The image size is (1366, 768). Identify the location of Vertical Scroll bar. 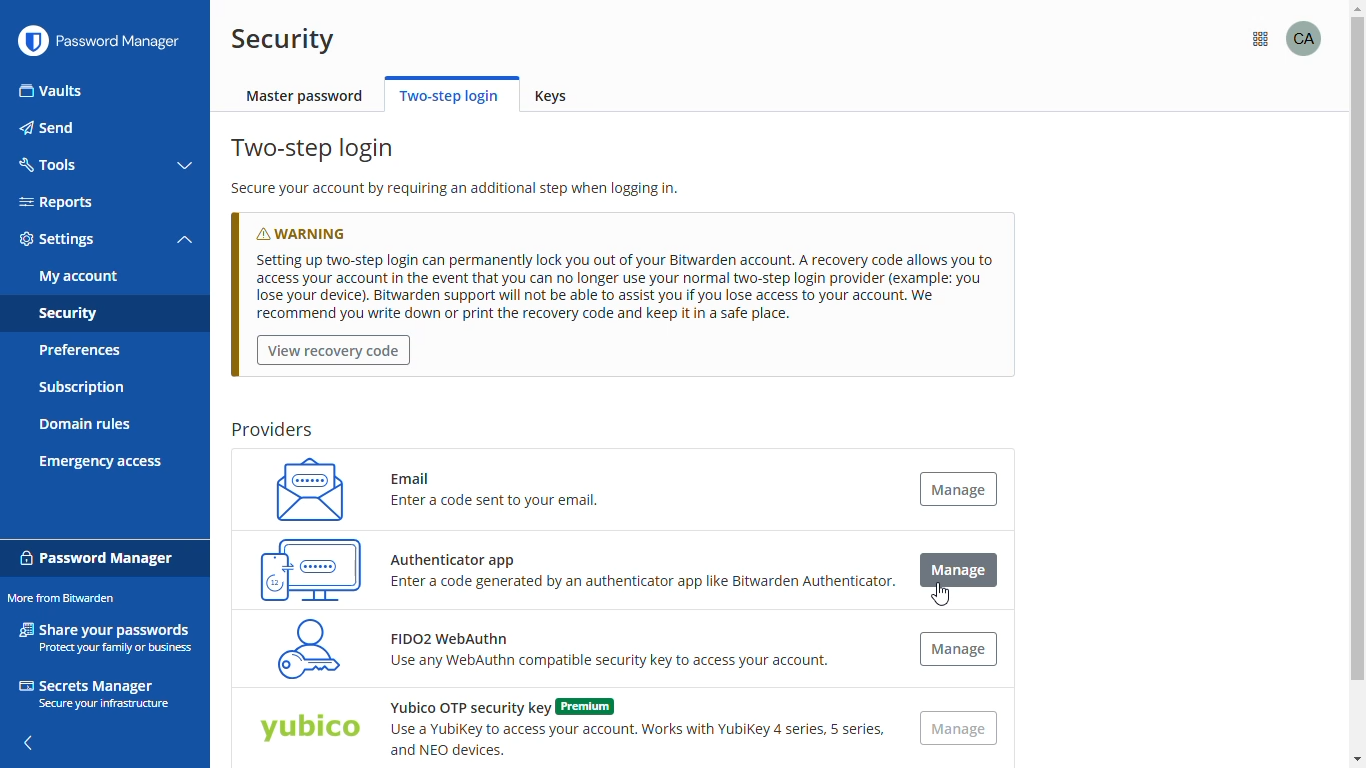
(1350, 411).